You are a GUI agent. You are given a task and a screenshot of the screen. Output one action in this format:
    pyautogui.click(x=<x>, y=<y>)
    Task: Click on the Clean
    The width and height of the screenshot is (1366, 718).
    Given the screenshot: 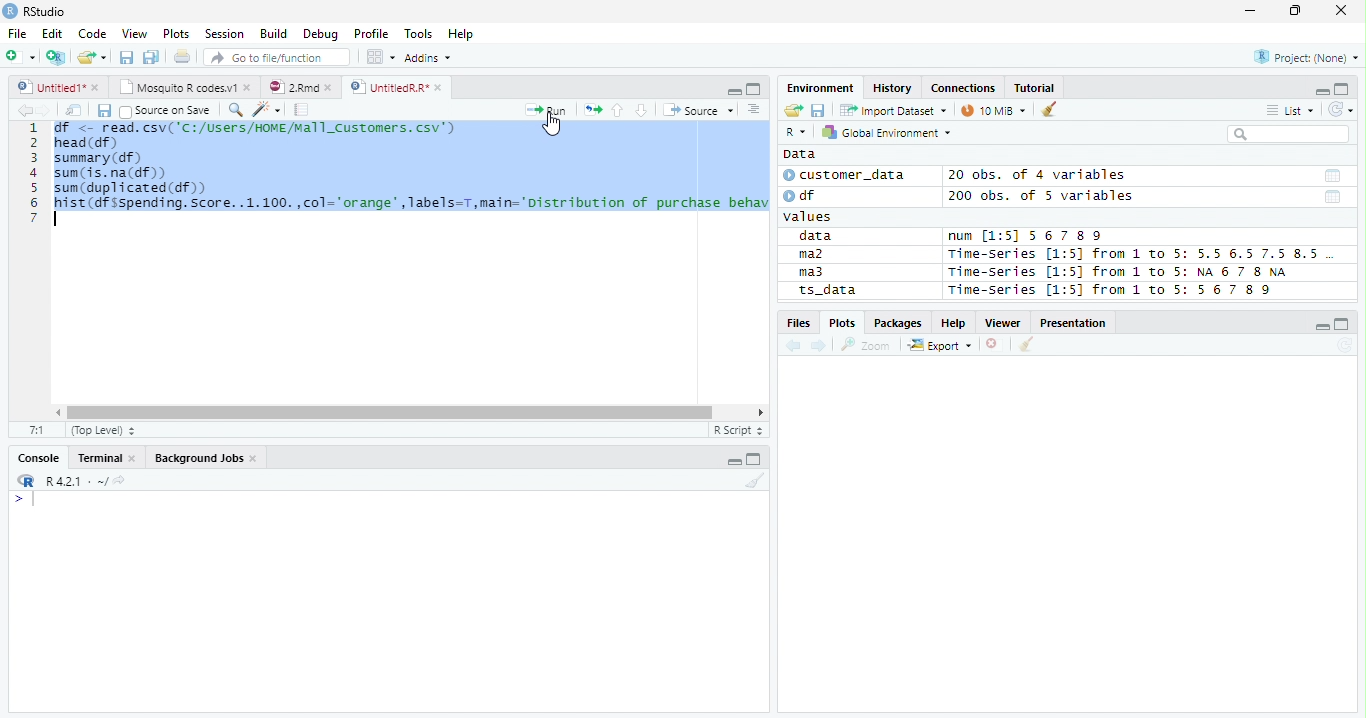 What is the action you would take?
    pyautogui.click(x=1051, y=108)
    